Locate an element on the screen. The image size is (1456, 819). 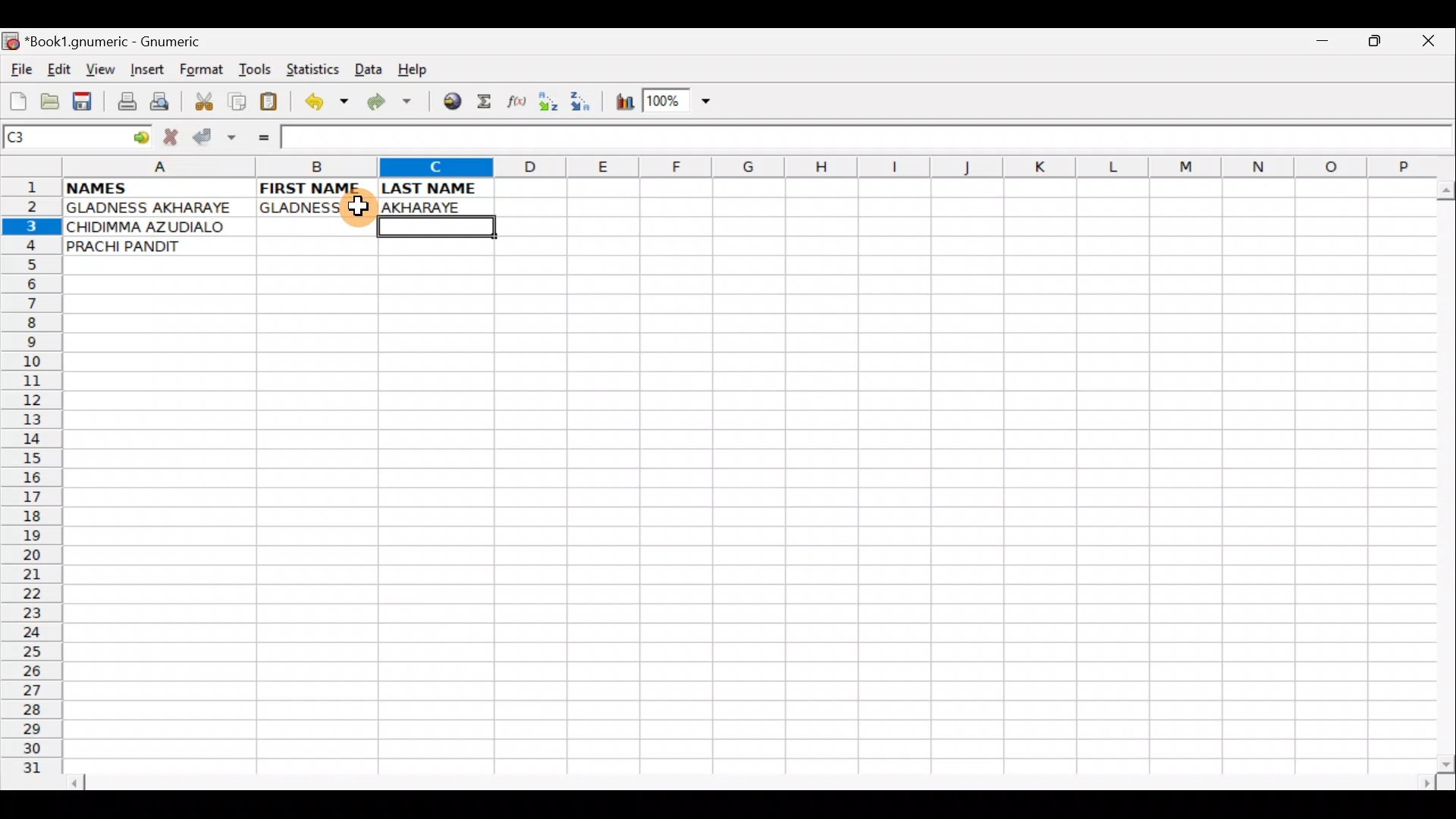
PRACHI PANDIT is located at coordinates (153, 246).